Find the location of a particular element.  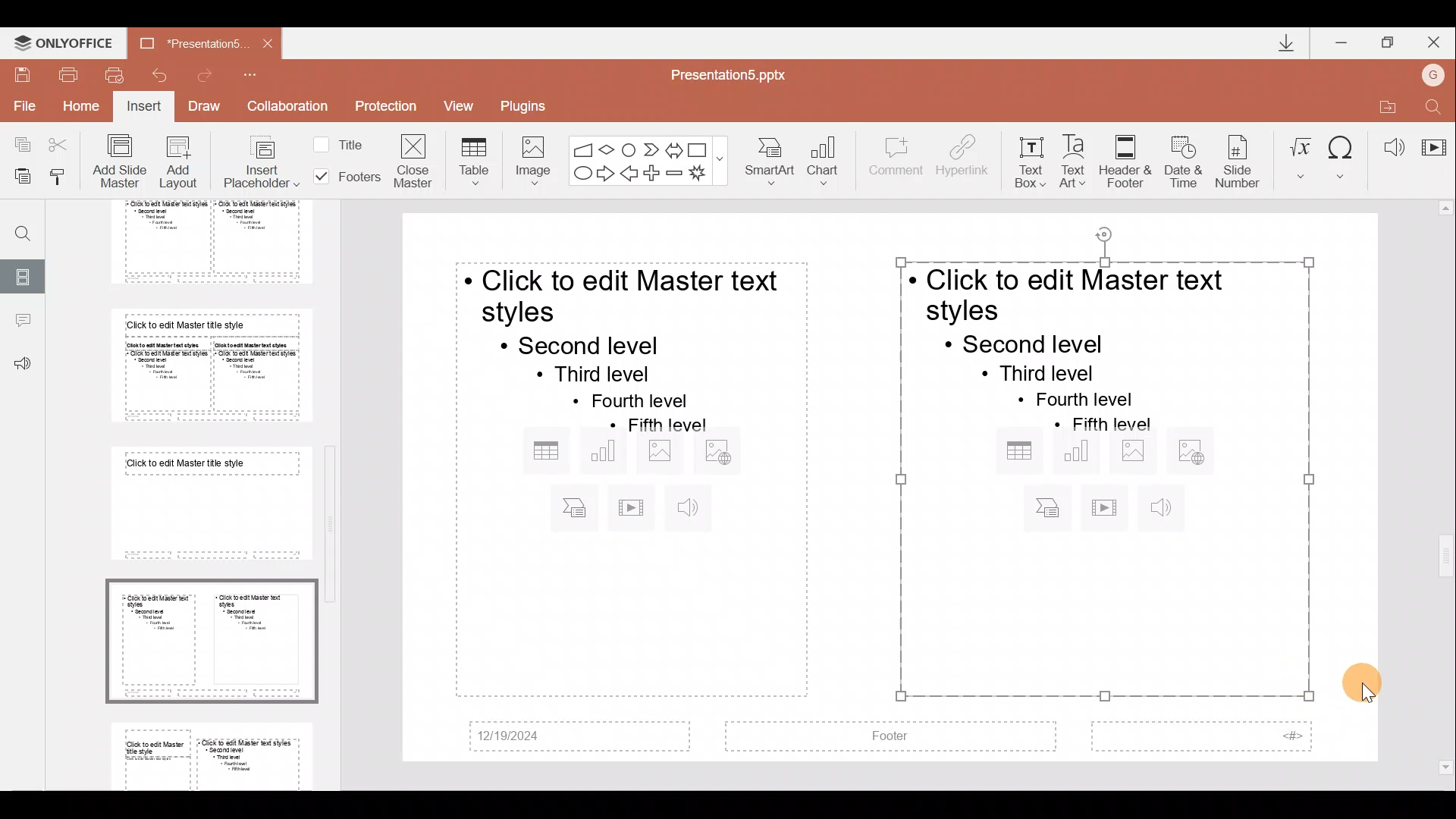

Plus is located at coordinates (654, 171).